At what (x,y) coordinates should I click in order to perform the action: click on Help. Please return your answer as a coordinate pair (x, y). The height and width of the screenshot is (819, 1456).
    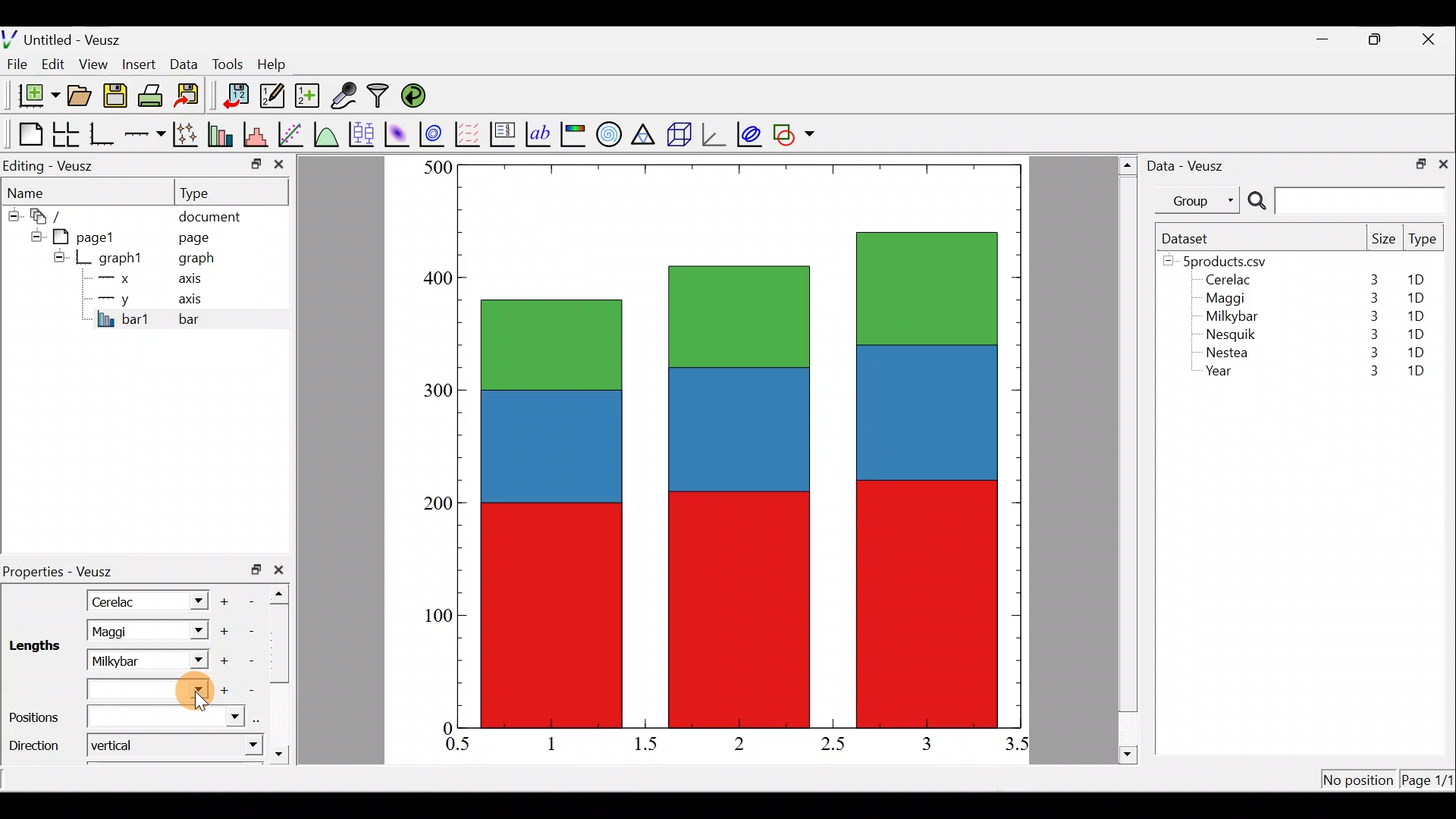
    Looking at the image, I should click on (281, 64).